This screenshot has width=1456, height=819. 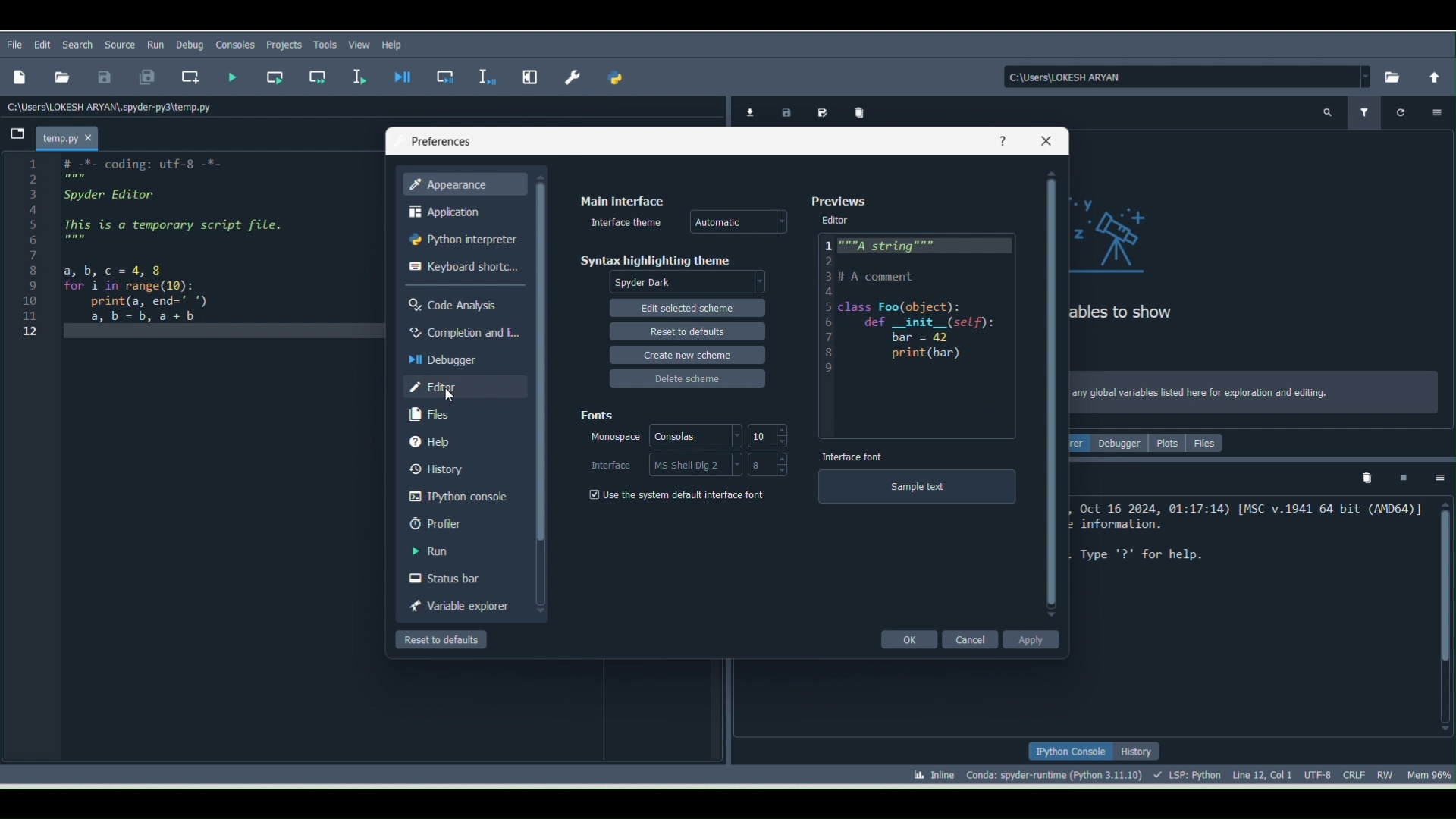 I want to click on Theme, so click(x=692, y=283).